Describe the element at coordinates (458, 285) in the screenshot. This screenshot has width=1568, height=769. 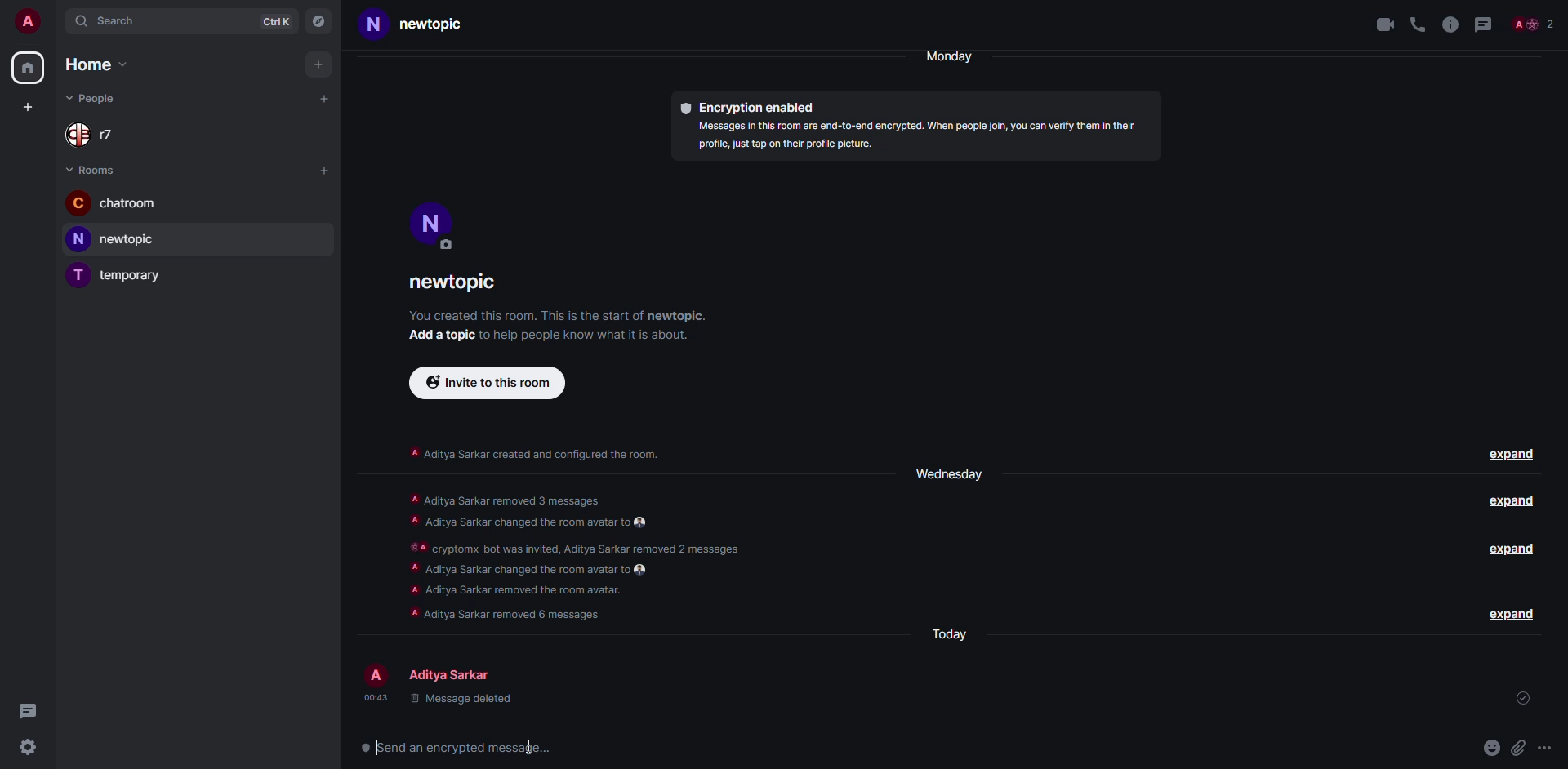
I see `room` at that location.